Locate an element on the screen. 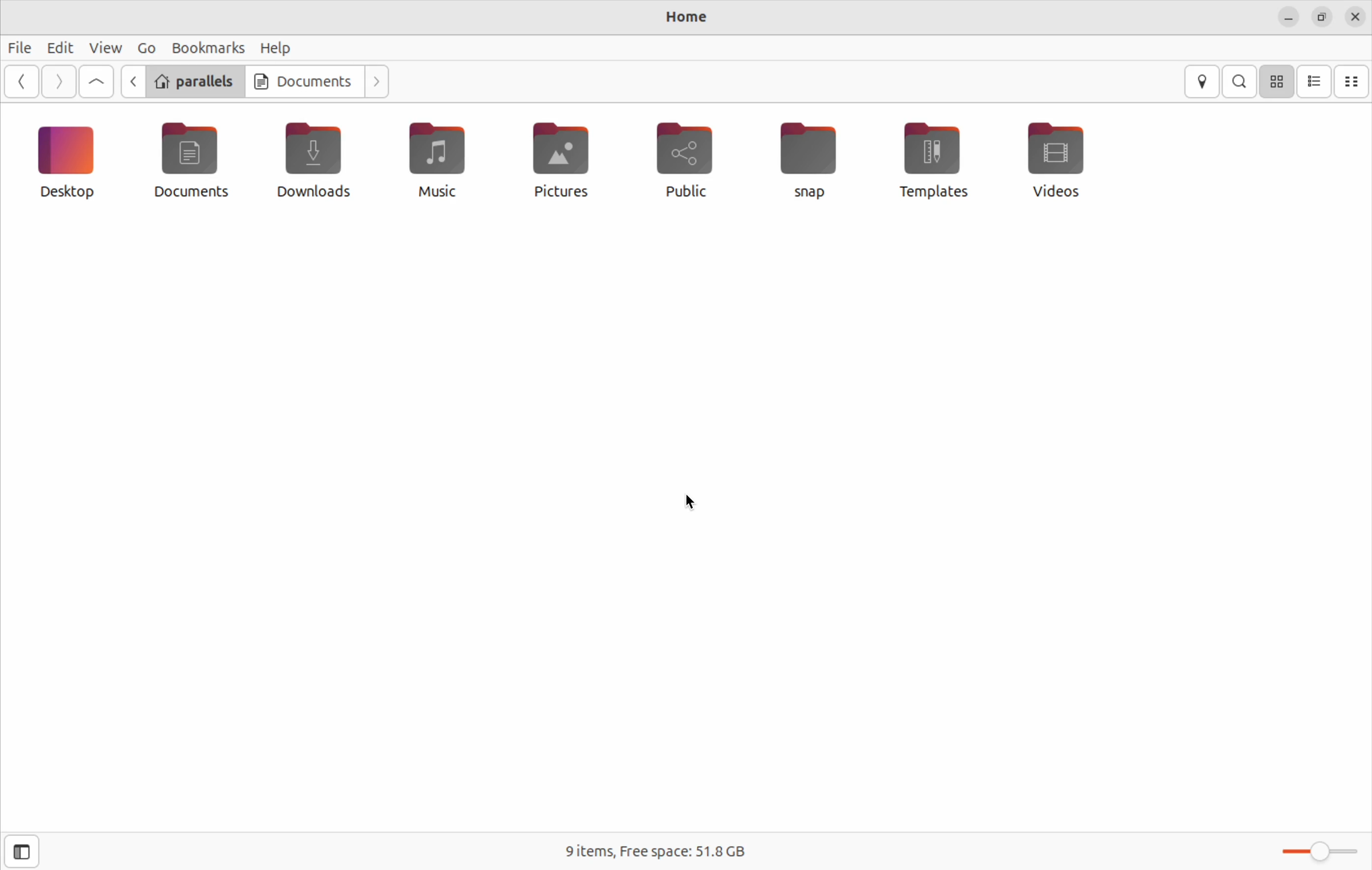  public is located at coordinates (689, 160).